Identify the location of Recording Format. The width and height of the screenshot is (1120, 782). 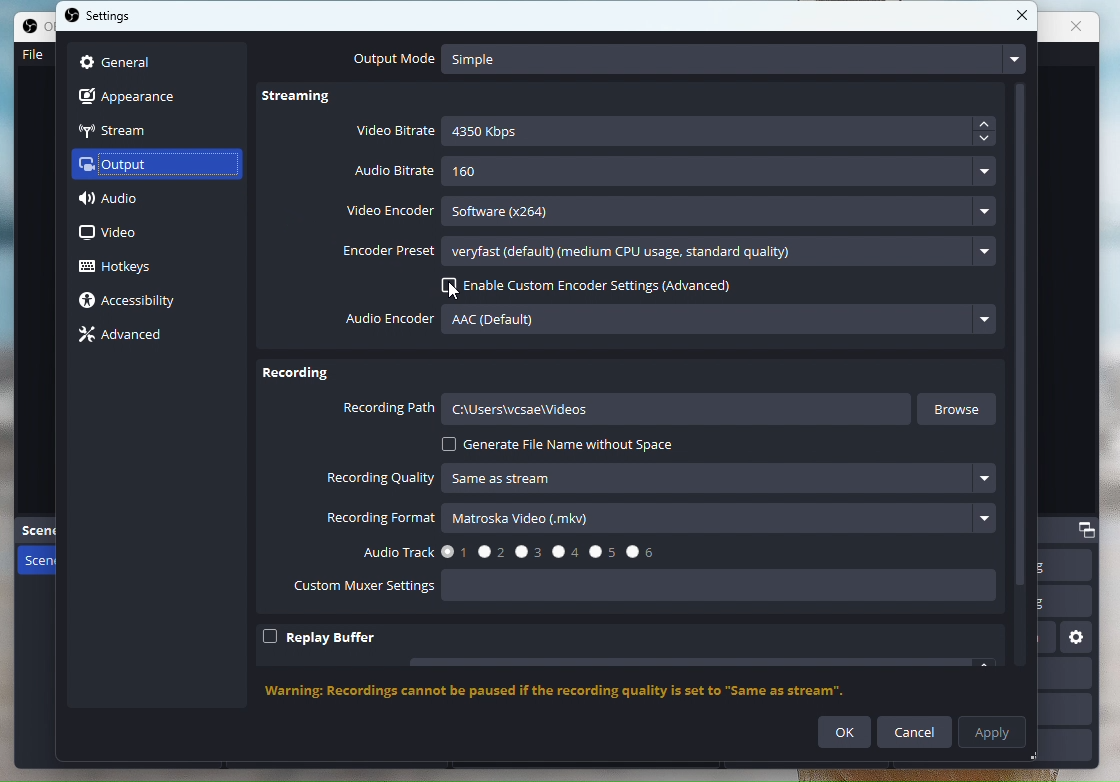
(658, 519).